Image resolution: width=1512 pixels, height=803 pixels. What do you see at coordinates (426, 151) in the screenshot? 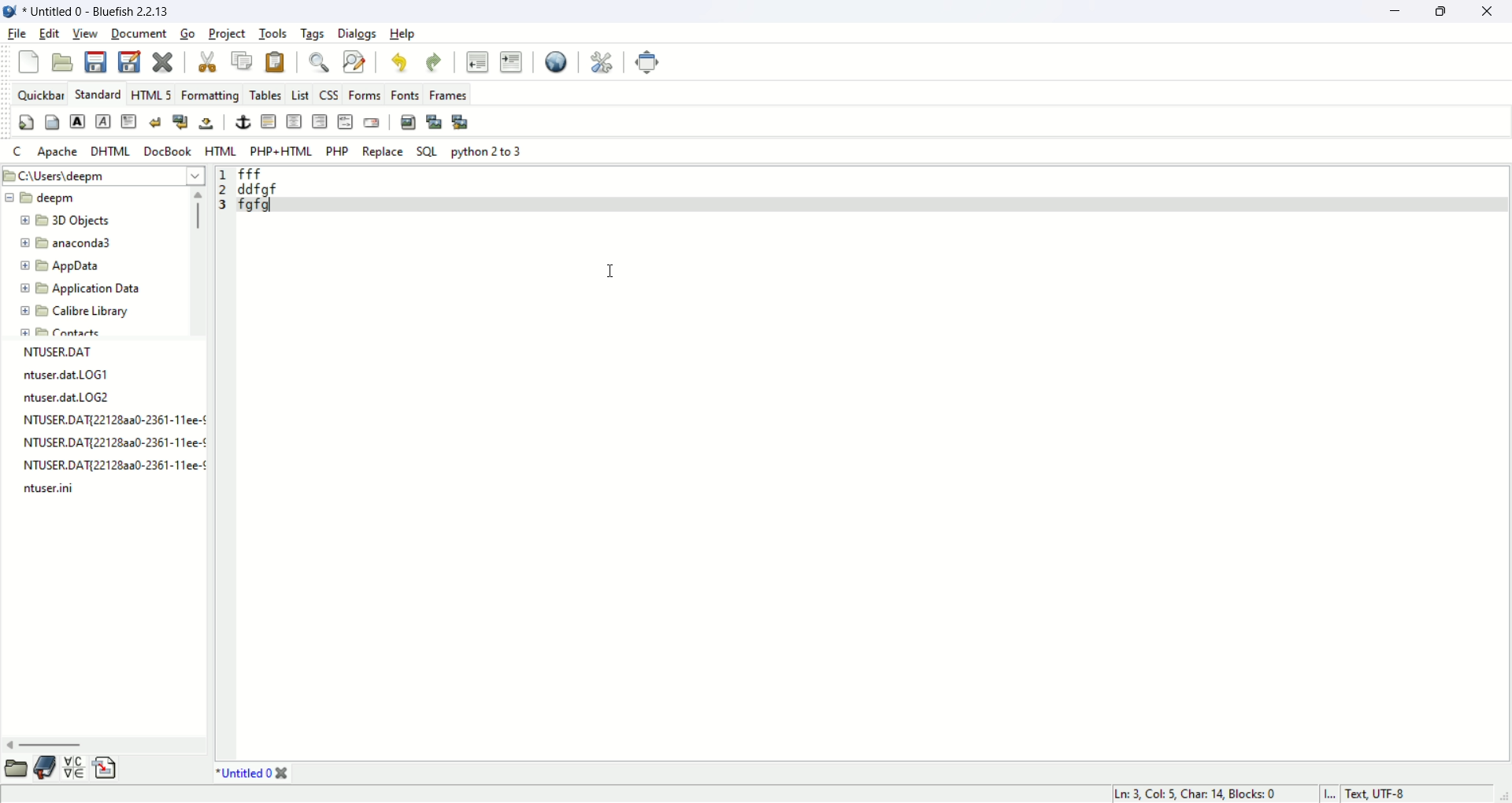
I see `SQL` at bounding box center [426, 151].